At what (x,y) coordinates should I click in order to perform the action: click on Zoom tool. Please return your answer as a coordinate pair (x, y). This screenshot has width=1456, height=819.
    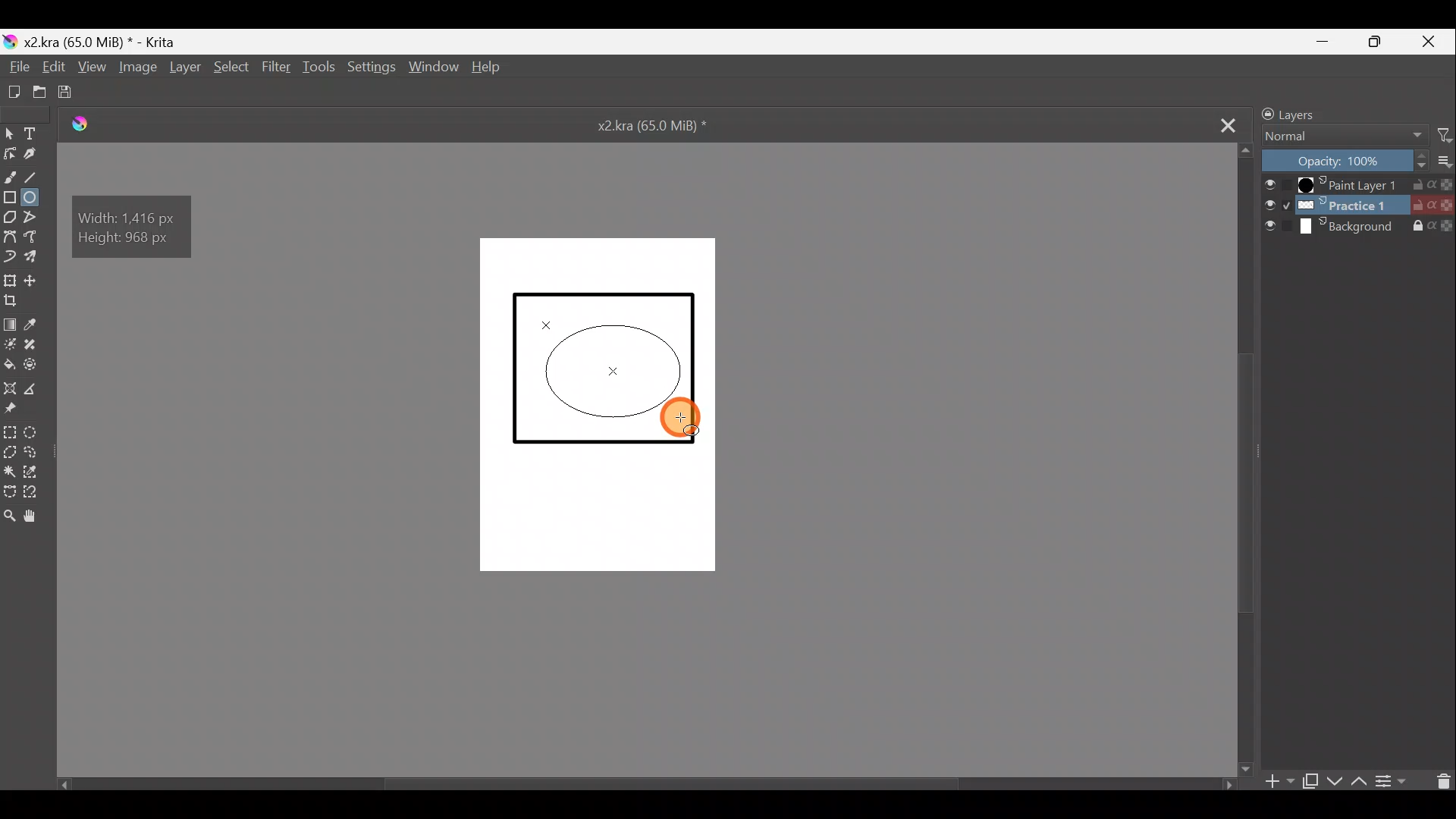
    Looking at the image, I should click on (9, 521).